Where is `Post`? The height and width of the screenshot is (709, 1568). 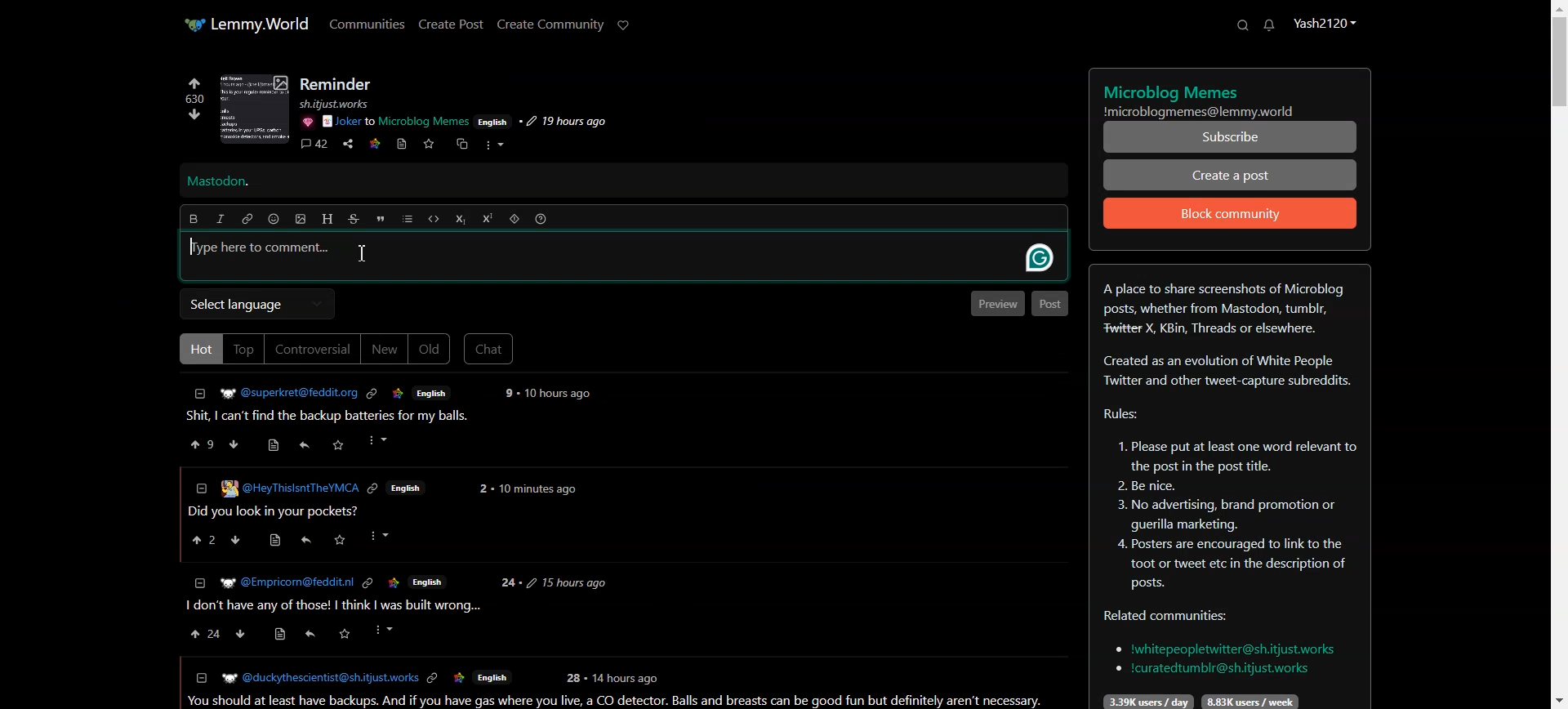 Post is located at coordinates (335, 417).